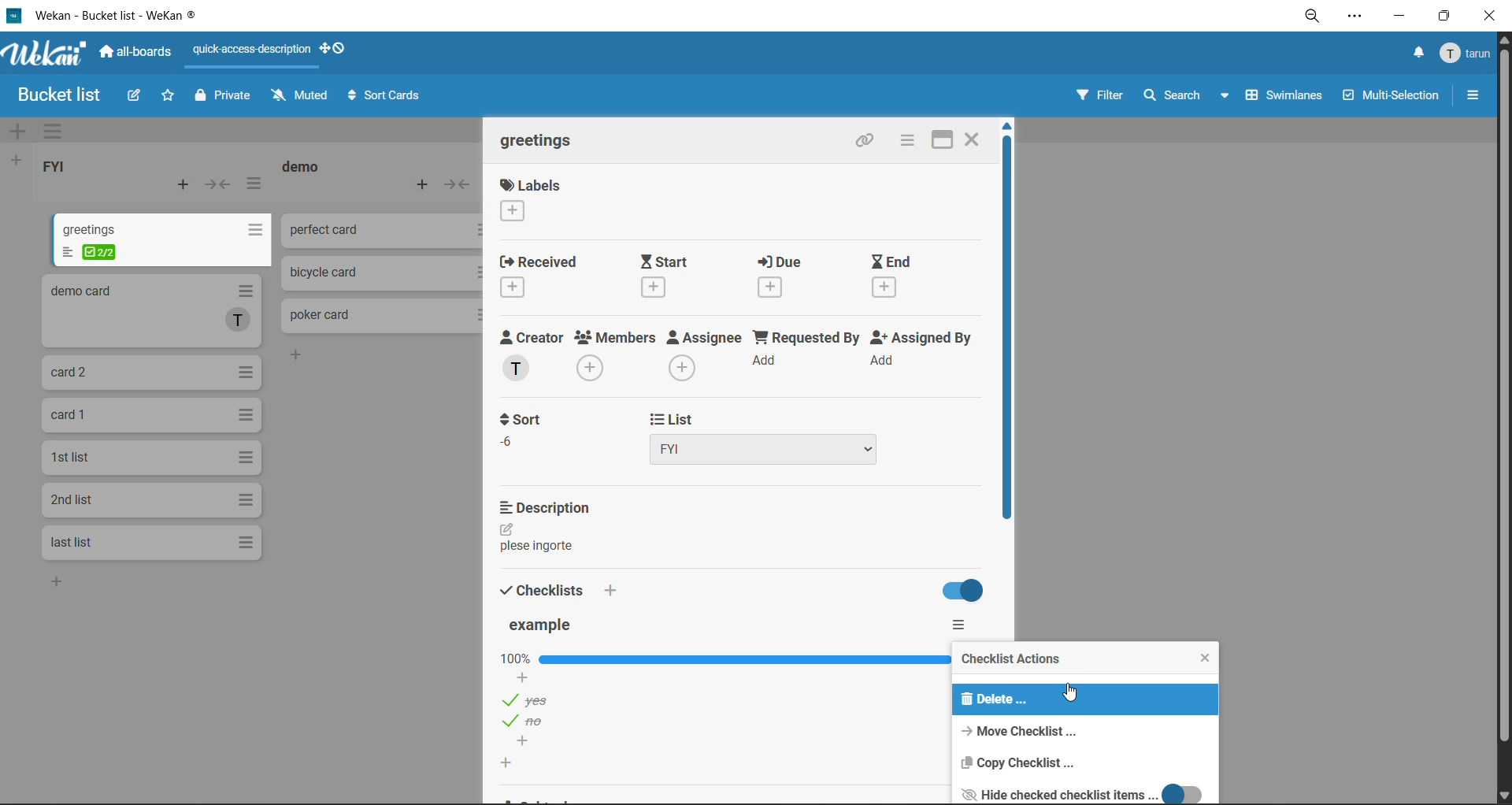 The image size is (1512, 805). Describe the element at coordinates (1445, 16) in the screenshot. I see `maximize` at that location.